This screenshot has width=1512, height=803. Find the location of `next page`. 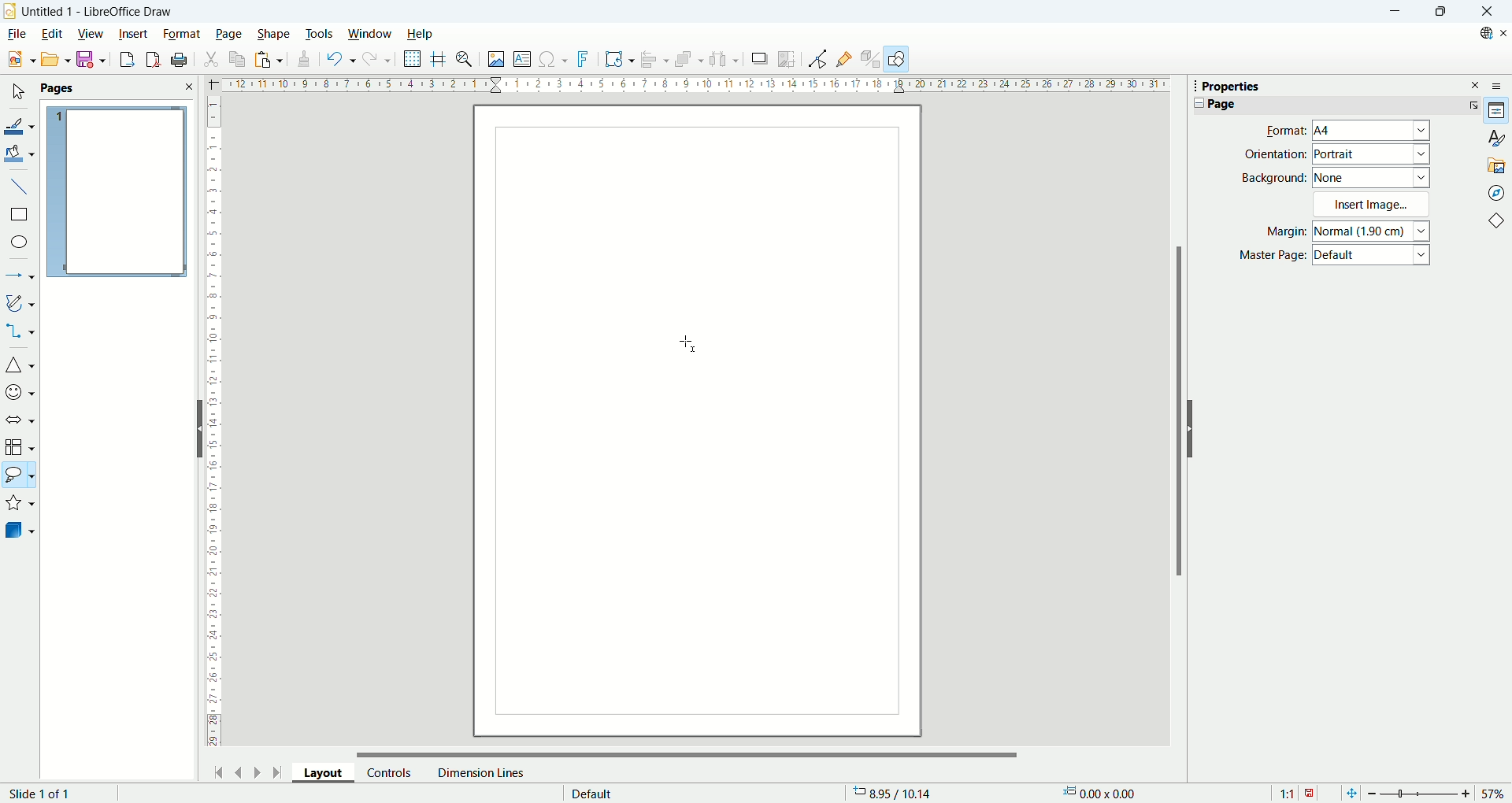

next page is located at coordinates (254, 771).